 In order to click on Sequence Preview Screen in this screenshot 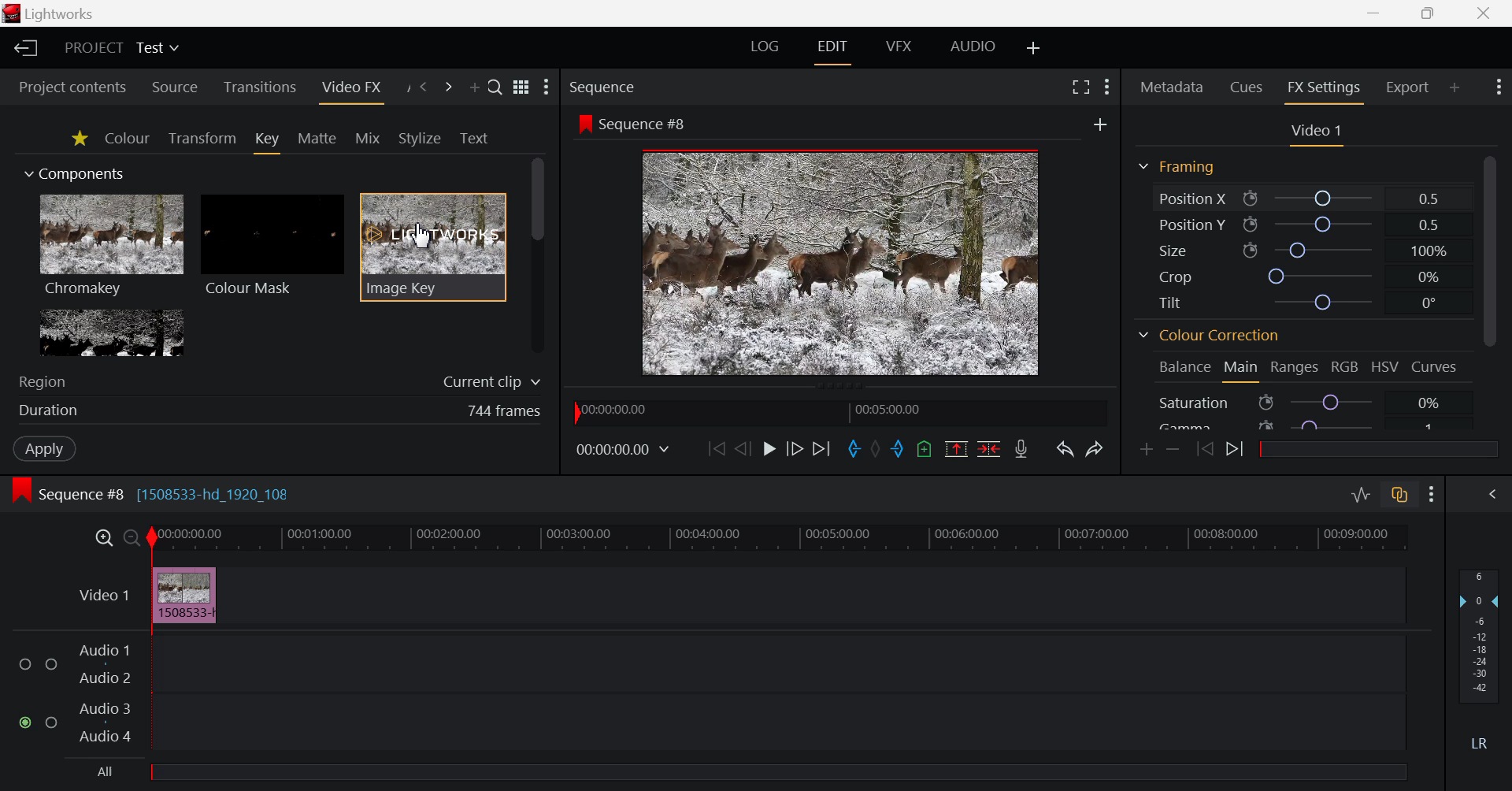, I will do `click(841, 262)`.